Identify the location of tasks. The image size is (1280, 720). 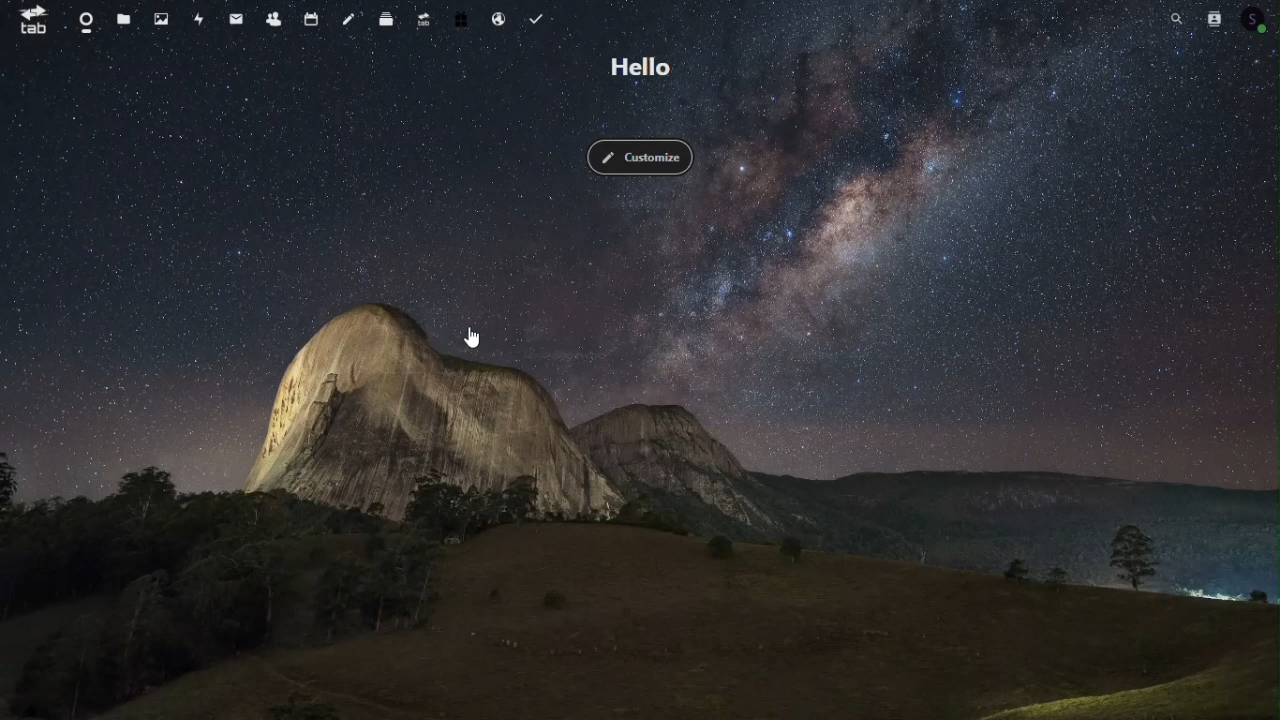
(541, 18).